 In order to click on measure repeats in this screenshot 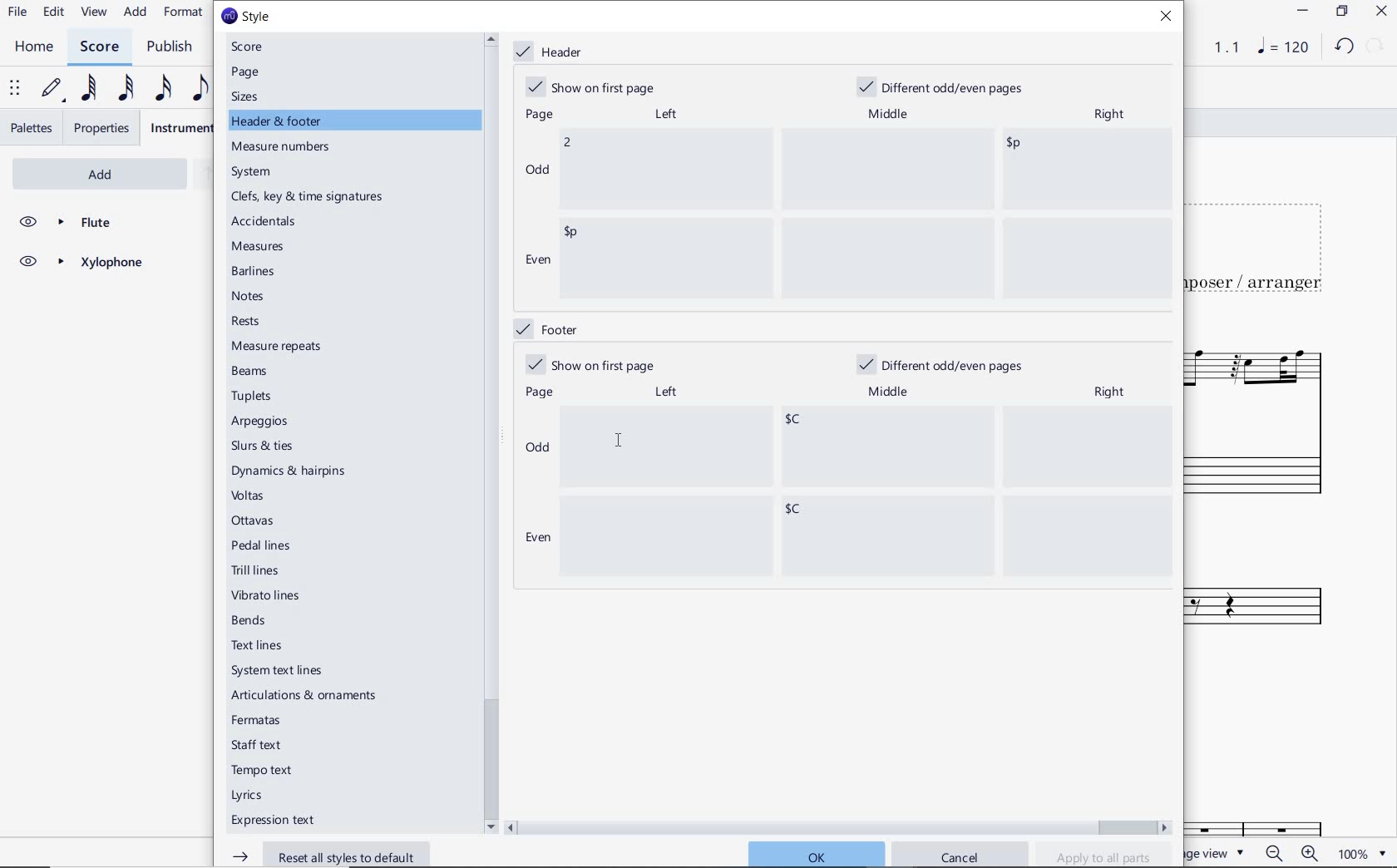, I will do `click(277, 346)`.